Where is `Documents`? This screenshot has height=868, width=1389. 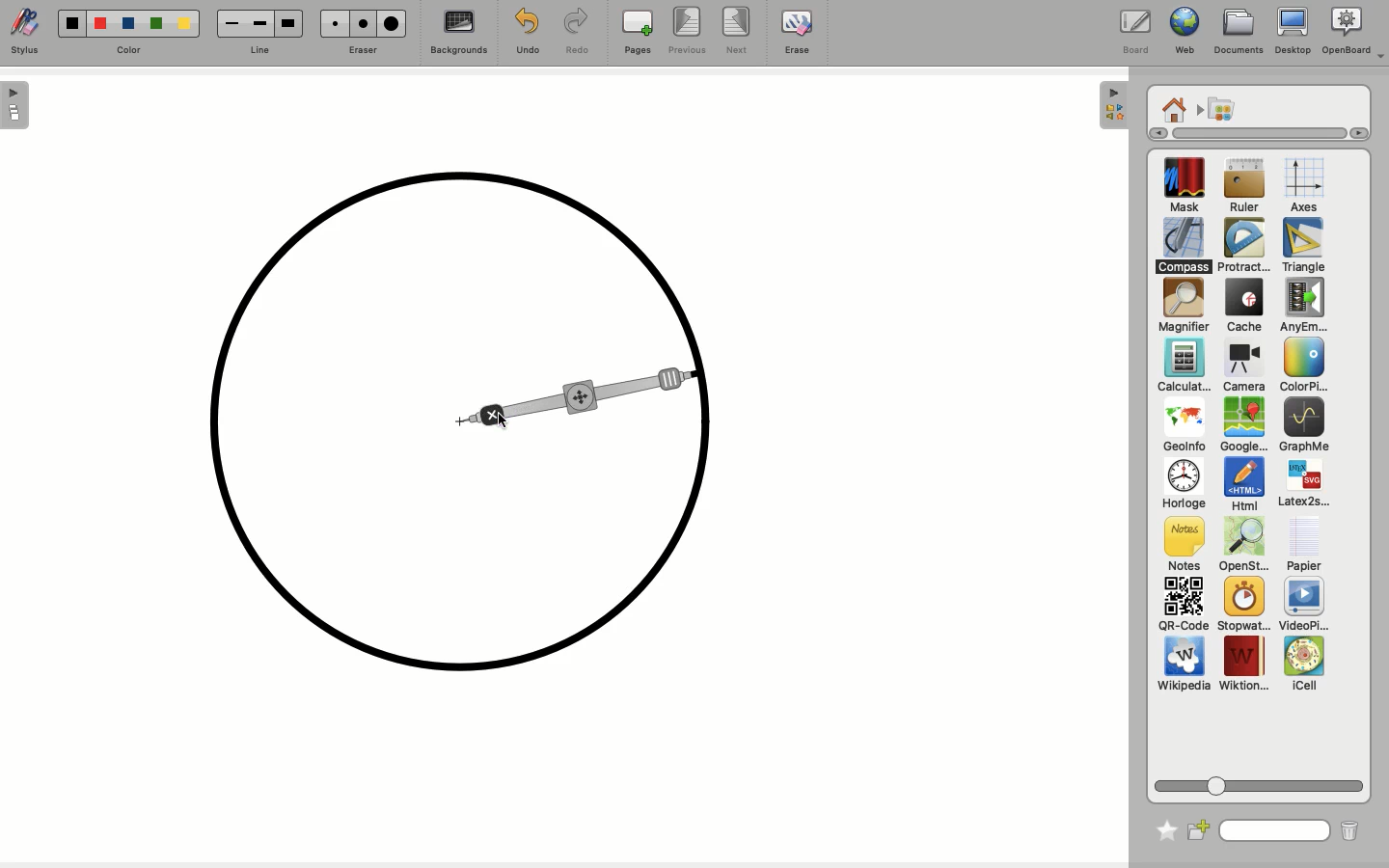
Documents is located at coordinates (1239, 32).